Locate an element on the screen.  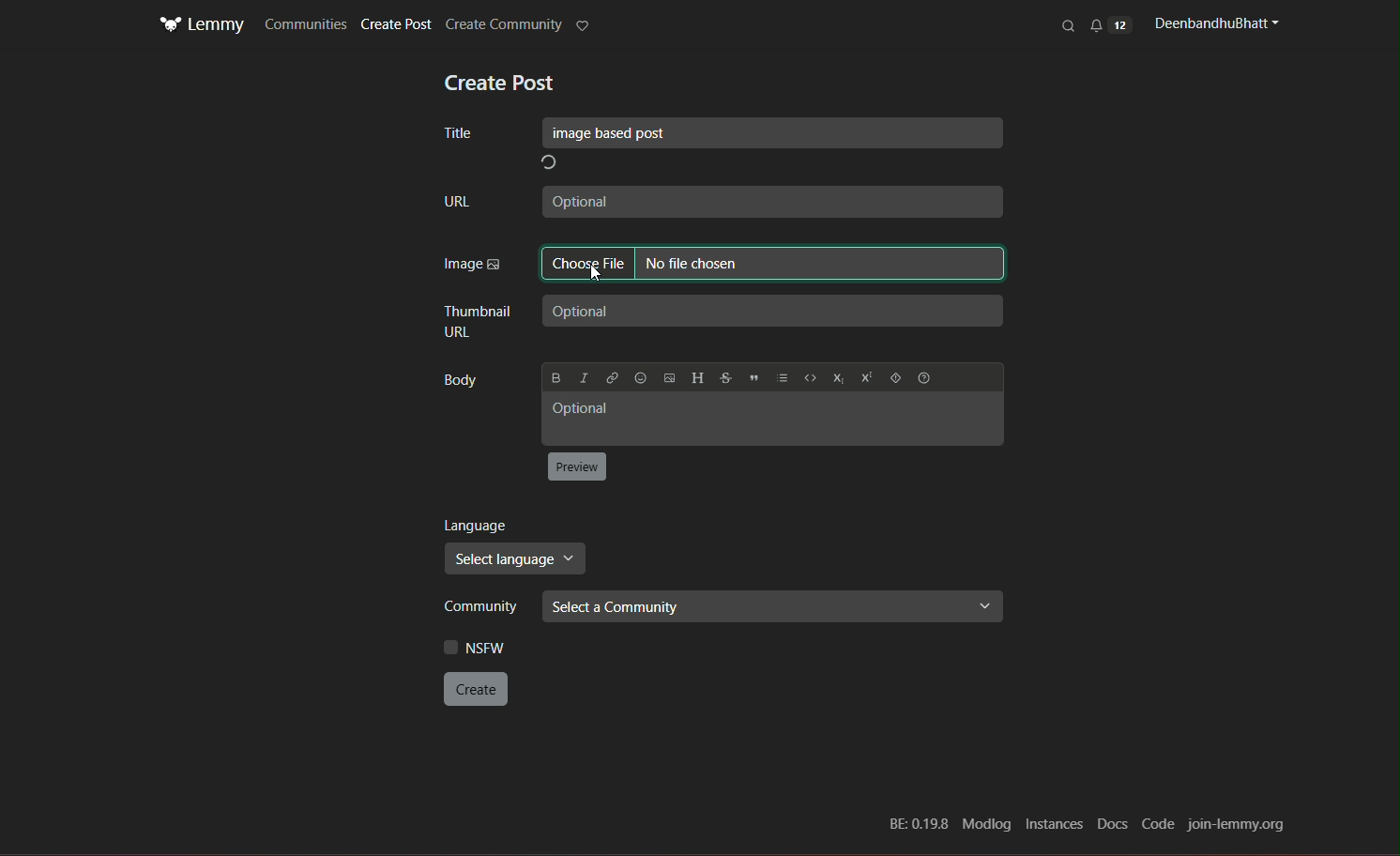
thumbnail URL is located at coordinates (476, 323).